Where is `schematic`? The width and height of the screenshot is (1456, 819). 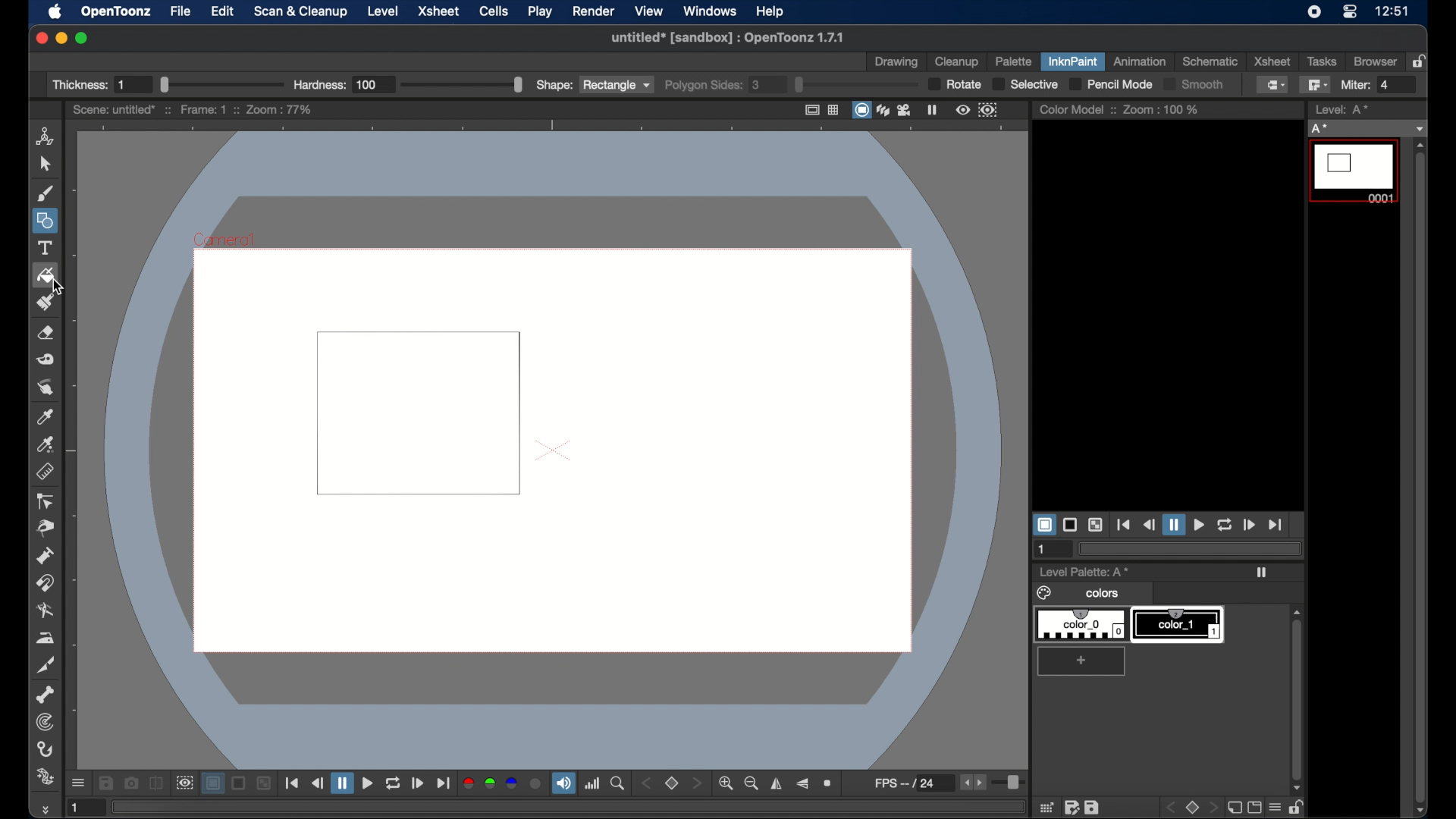
schematic is located at coordinates (1210, 62).